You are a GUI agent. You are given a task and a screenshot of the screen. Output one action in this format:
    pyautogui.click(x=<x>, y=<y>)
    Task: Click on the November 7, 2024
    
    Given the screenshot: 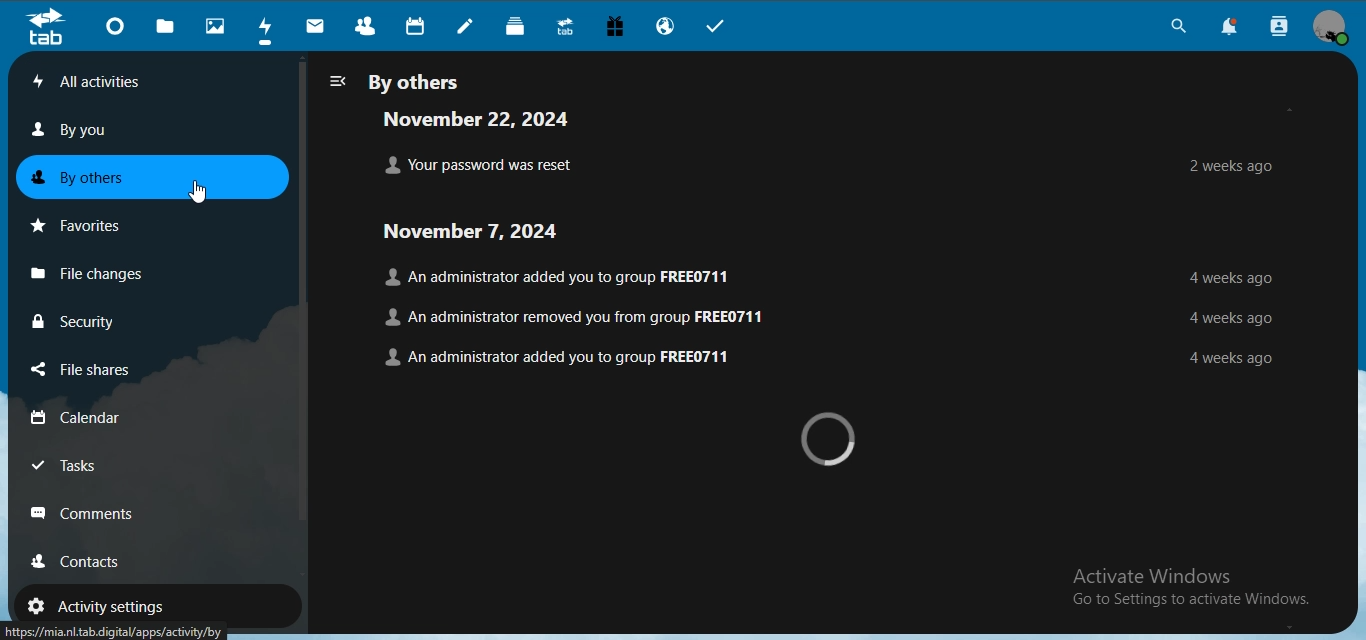 What is the action you would take?
    pyautogui.click(x=502, y=233)
    